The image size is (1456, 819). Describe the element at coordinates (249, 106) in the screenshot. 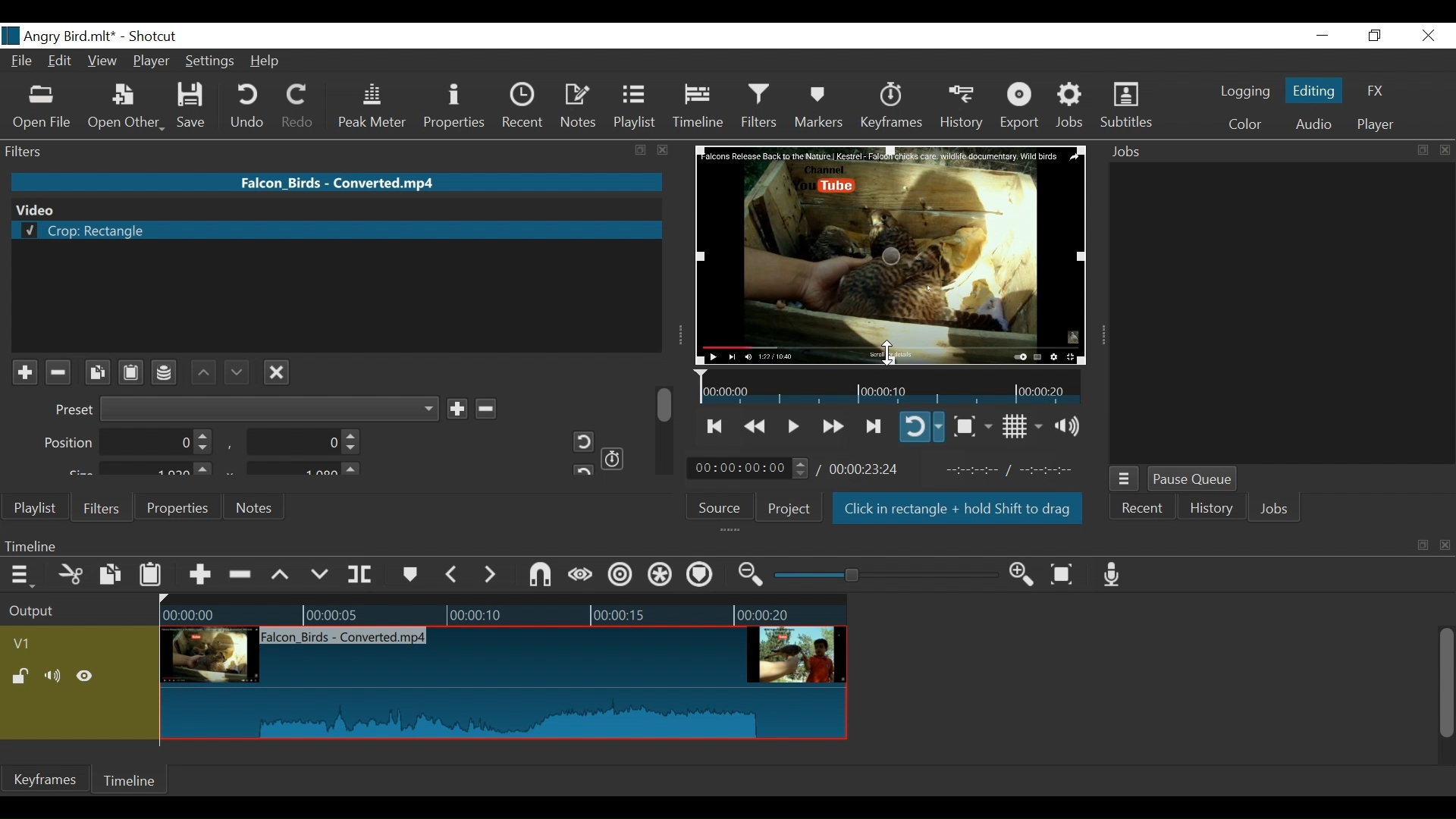

I see `Undo` at that location.